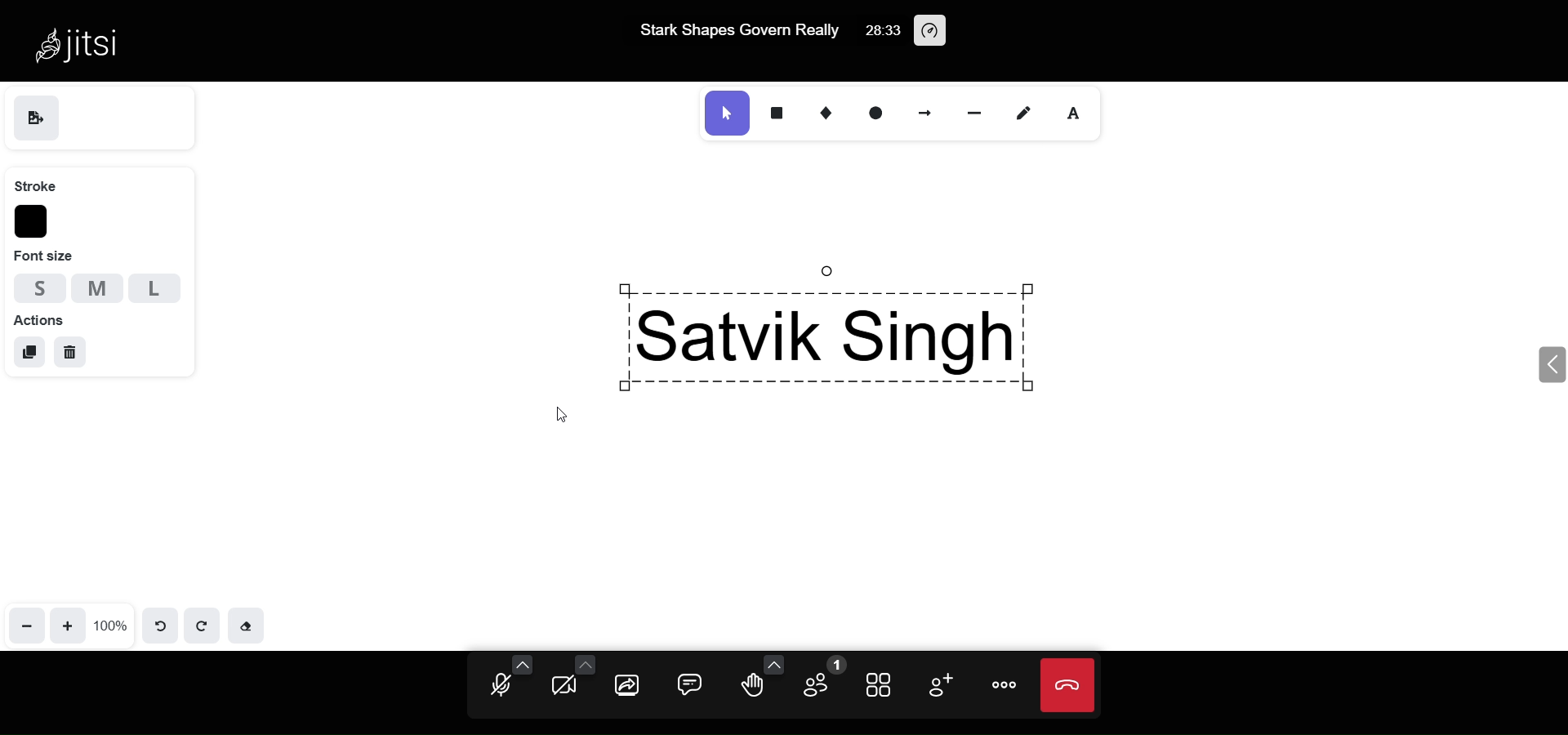 The image size is (1568, 735). What do you see at coordinates (1026, 109) in the screenshot?
I see `draw` at bounding box center [1026, 109].